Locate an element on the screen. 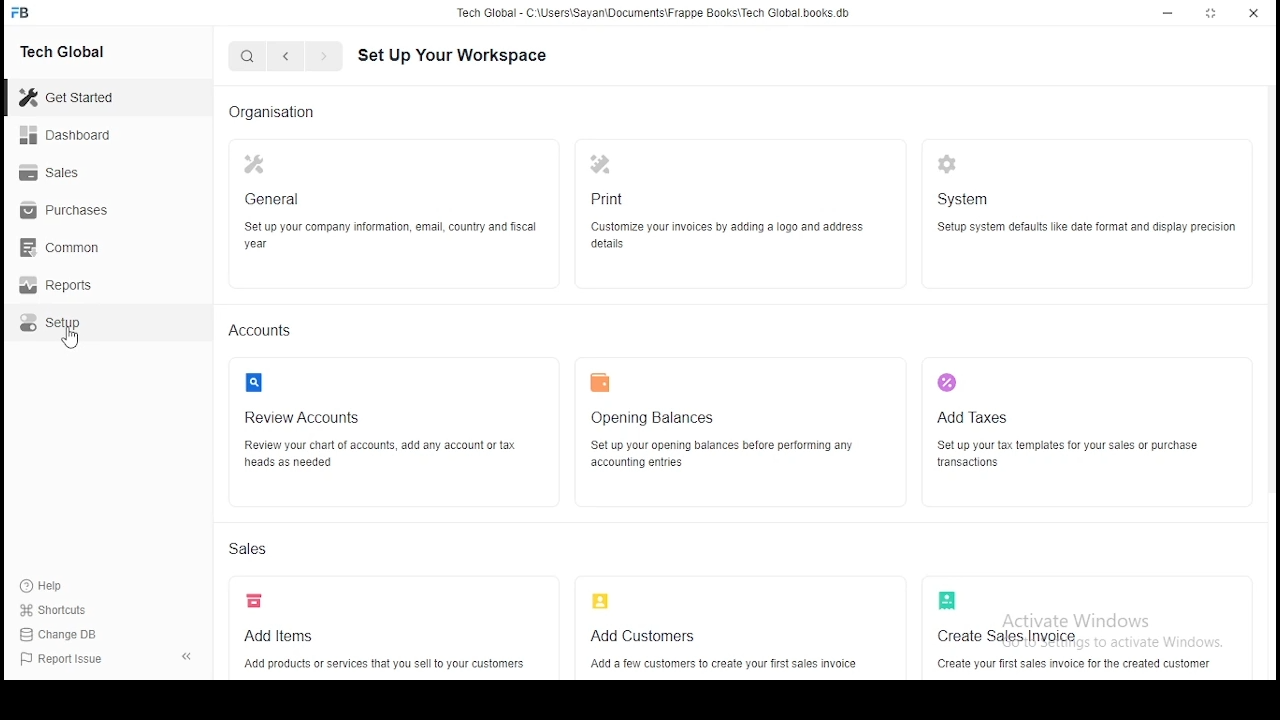  resize  is located at coordinates (1212, 14).